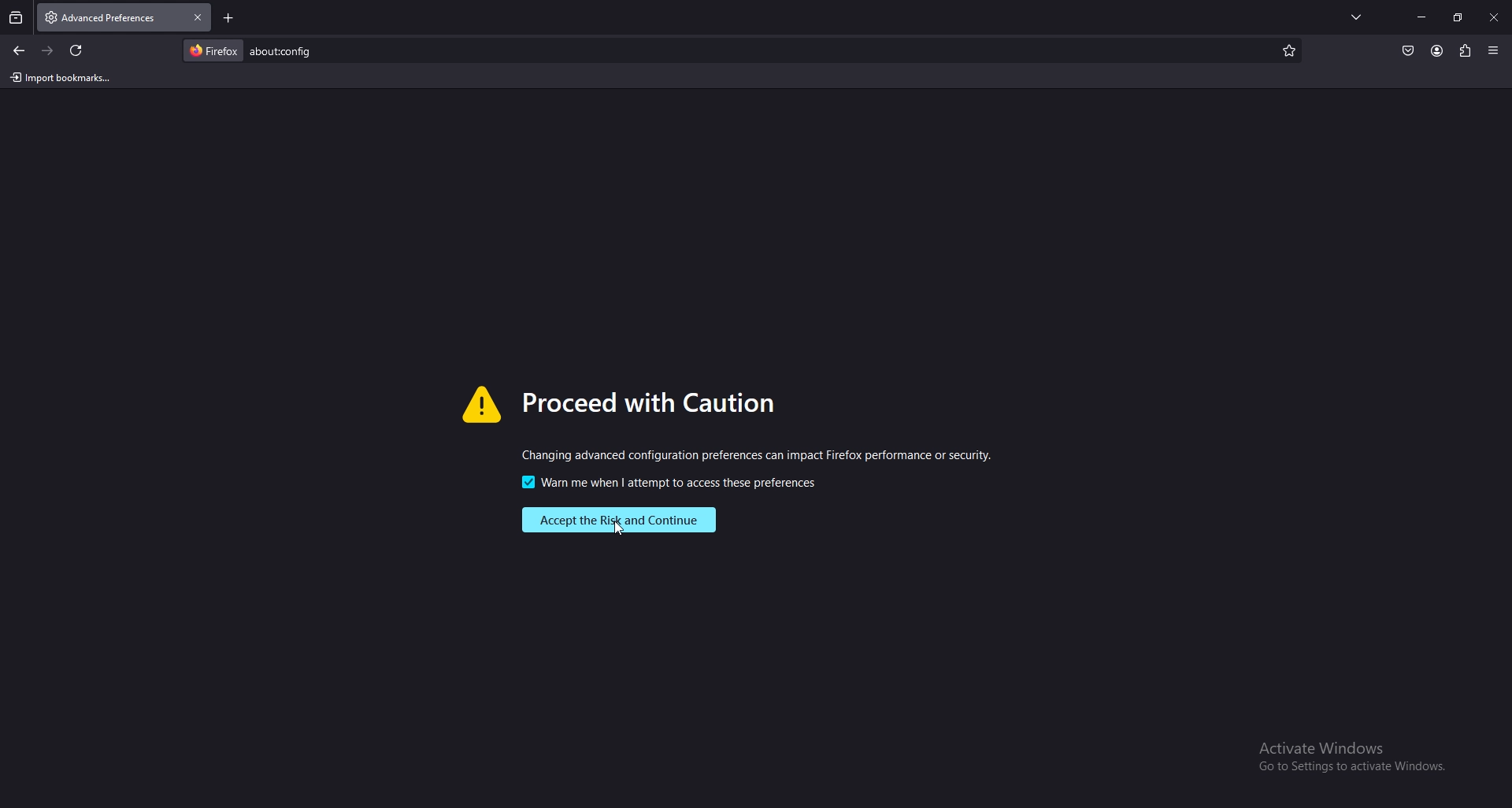  I want to click on new tab, so click(231, 18).